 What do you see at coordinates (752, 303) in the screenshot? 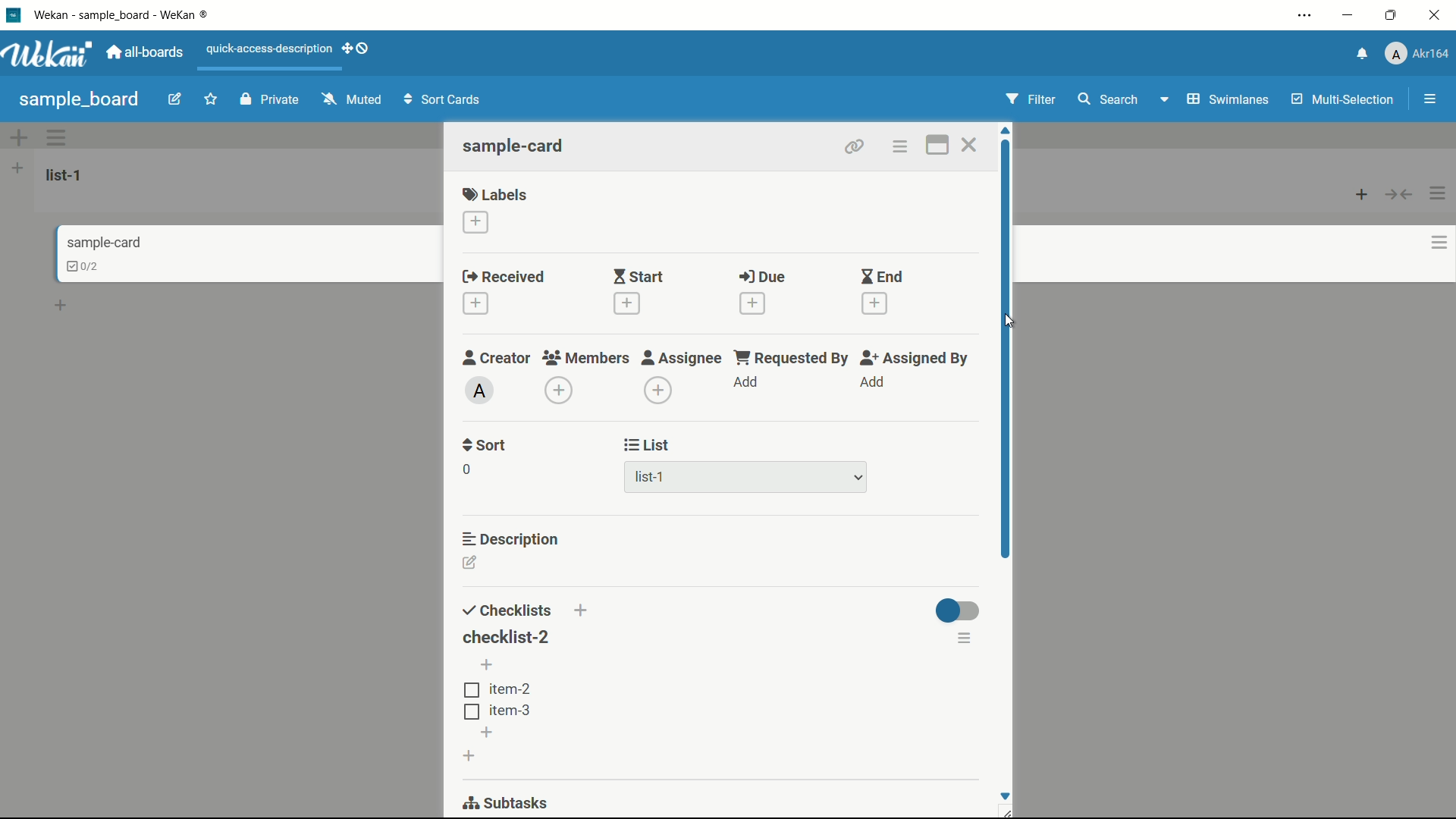
I see `add date` at bounding box center [752, 303].